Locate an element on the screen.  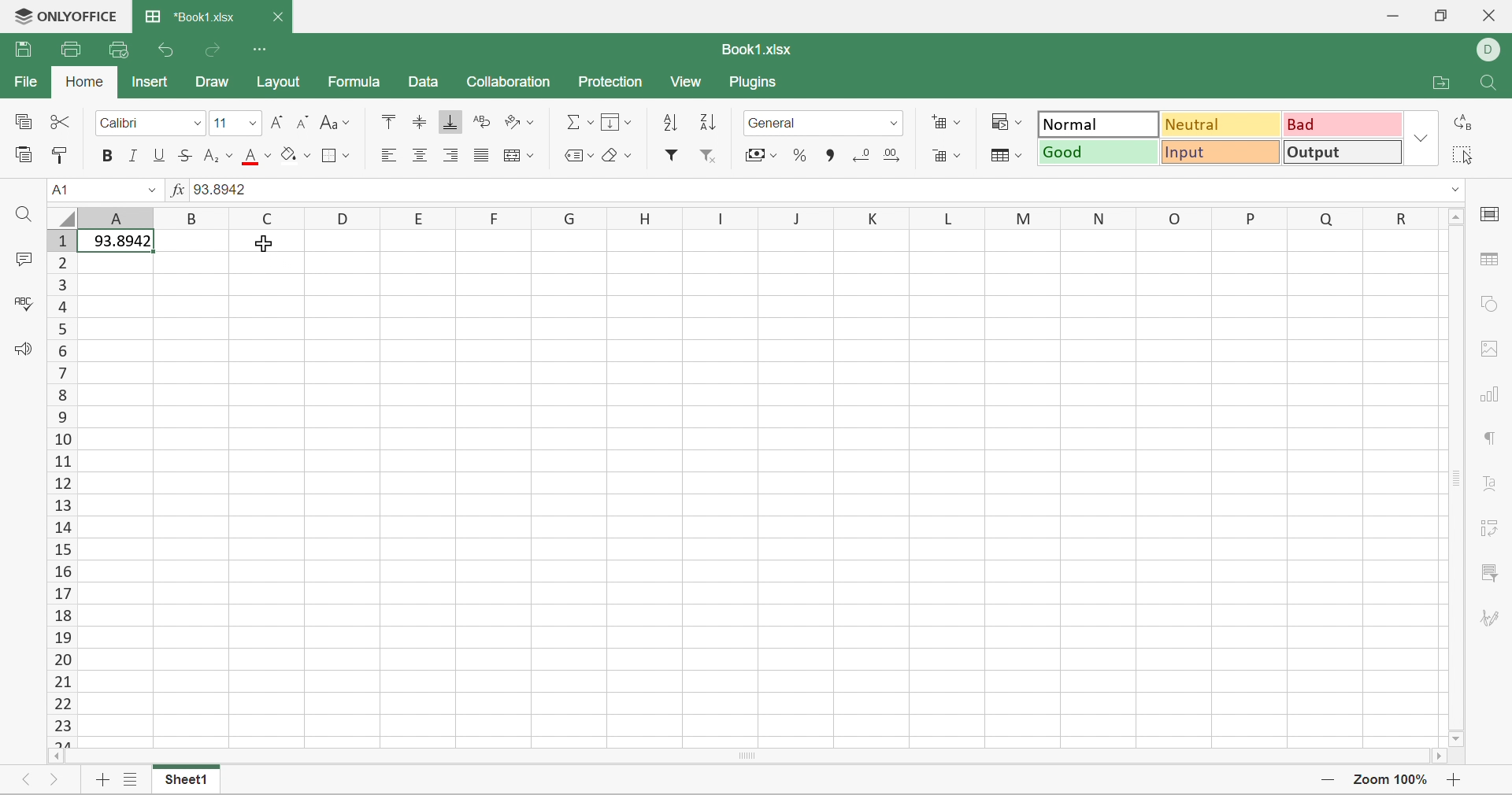
Scroll Bar is located at coordinates (744, 757).